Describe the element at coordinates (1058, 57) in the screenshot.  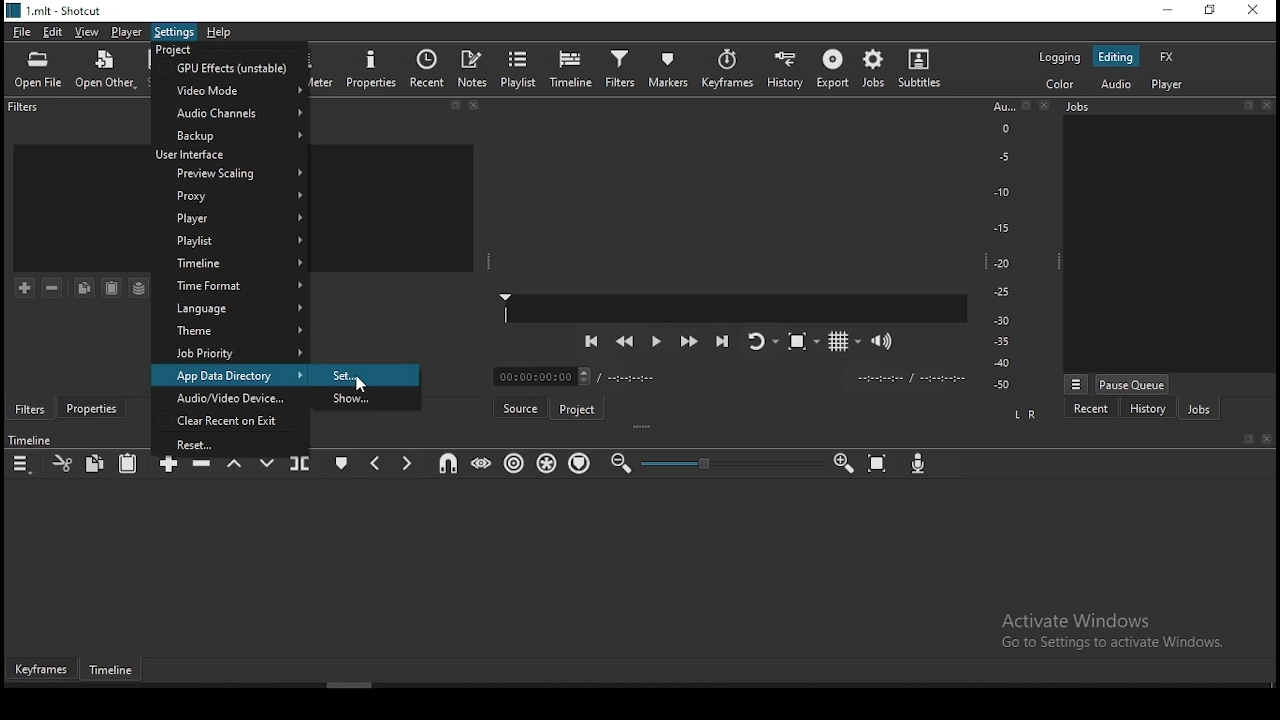
I see `logging` at that location.